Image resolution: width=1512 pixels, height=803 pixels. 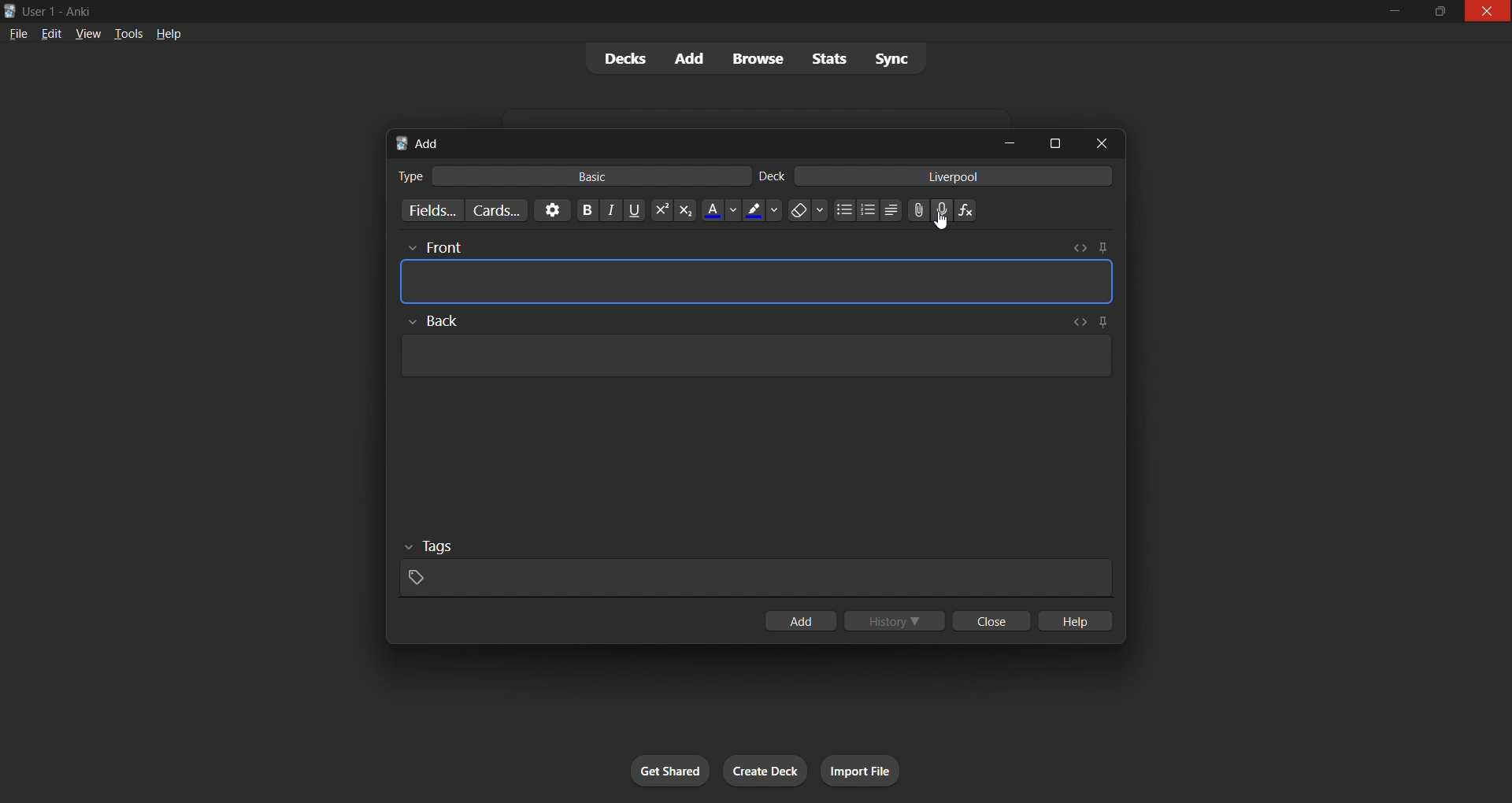 What do you see at coordinates (1080, 620) in the screenshot?
I see `help` at bounding box center [1080, 620].